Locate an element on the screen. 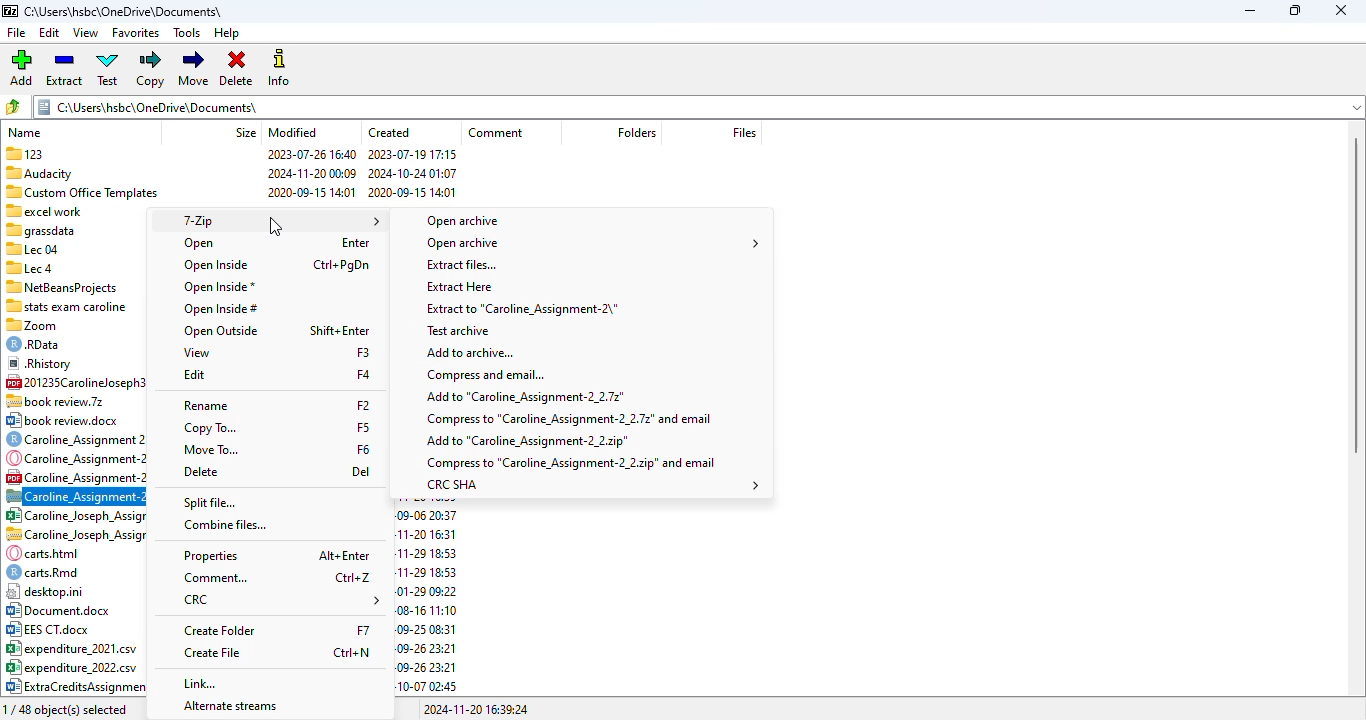 Image resolution: width=1366 pixels, height=720 pixels. ) Caroline_Assignment 2.... 5703 2023-10-06 15:41 2023-09-26 23:53 is located at coordinates (77, 439).